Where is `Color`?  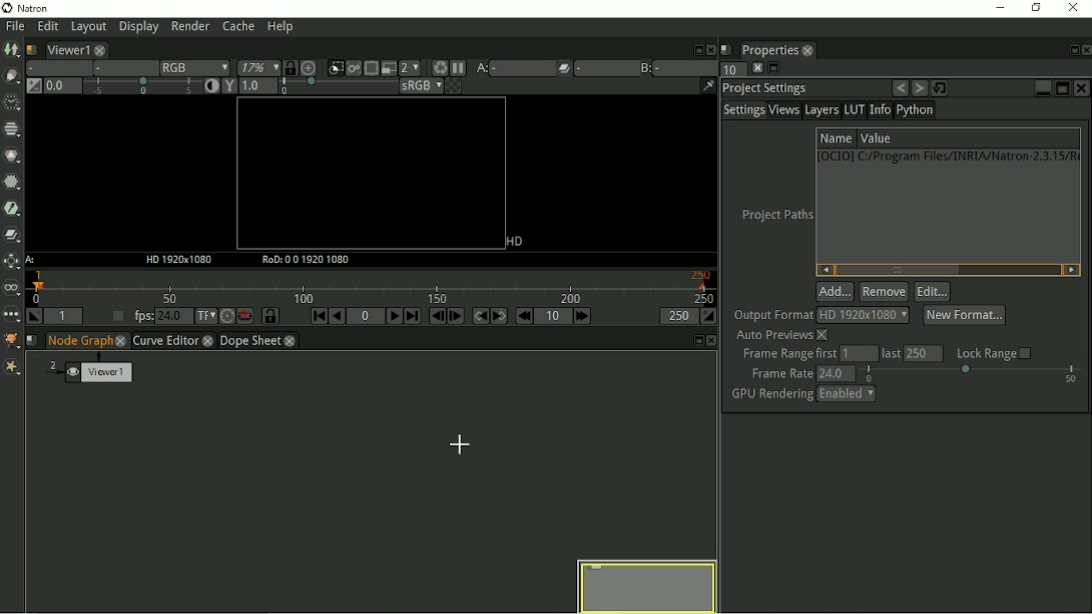 Color is located at coordinates (13, 156).